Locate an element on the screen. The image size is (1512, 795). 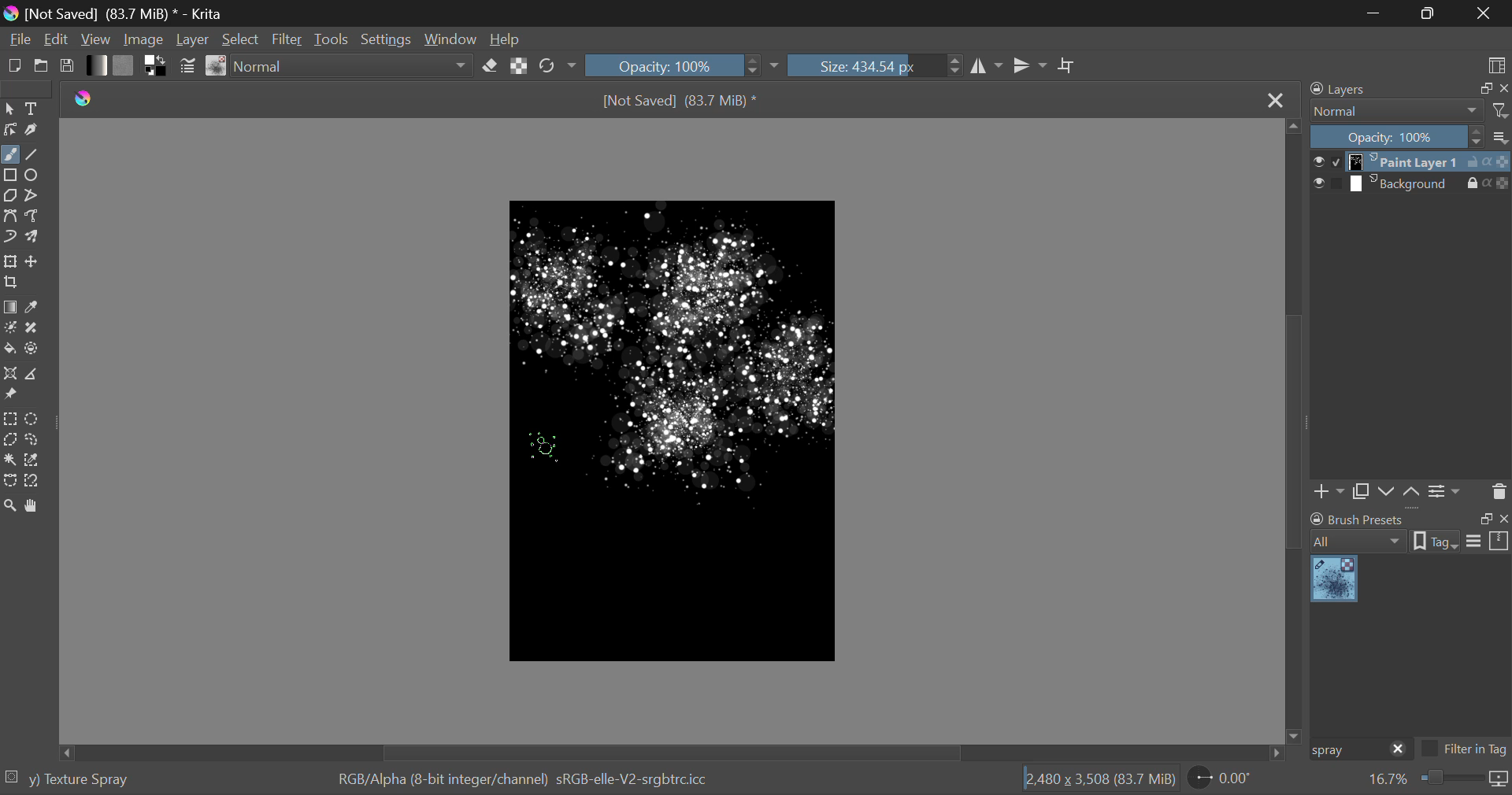
Select is located at coordinates (241, 39).